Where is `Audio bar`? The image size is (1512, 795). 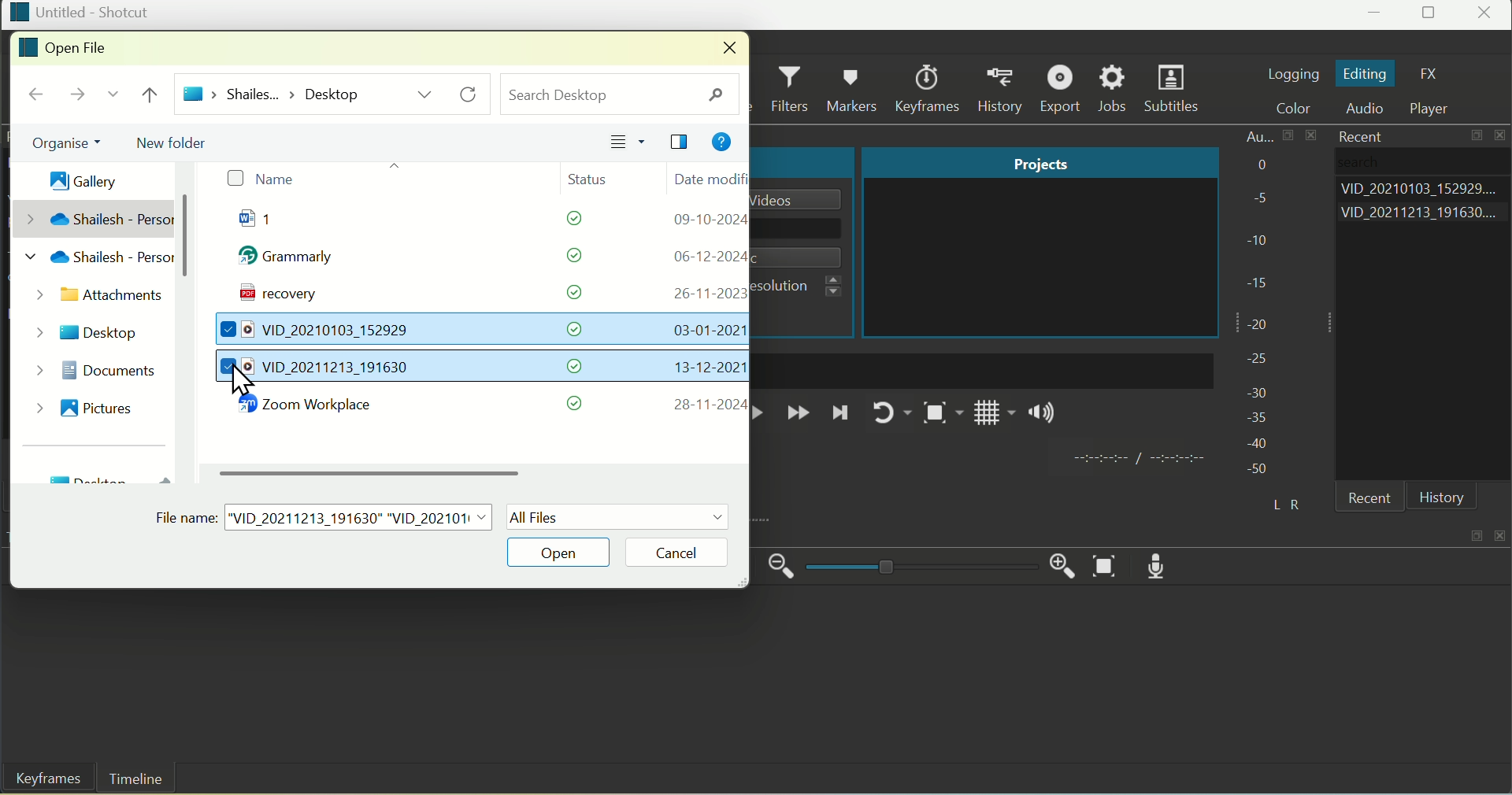
Audio bar is located at coordinates (1259, 303).